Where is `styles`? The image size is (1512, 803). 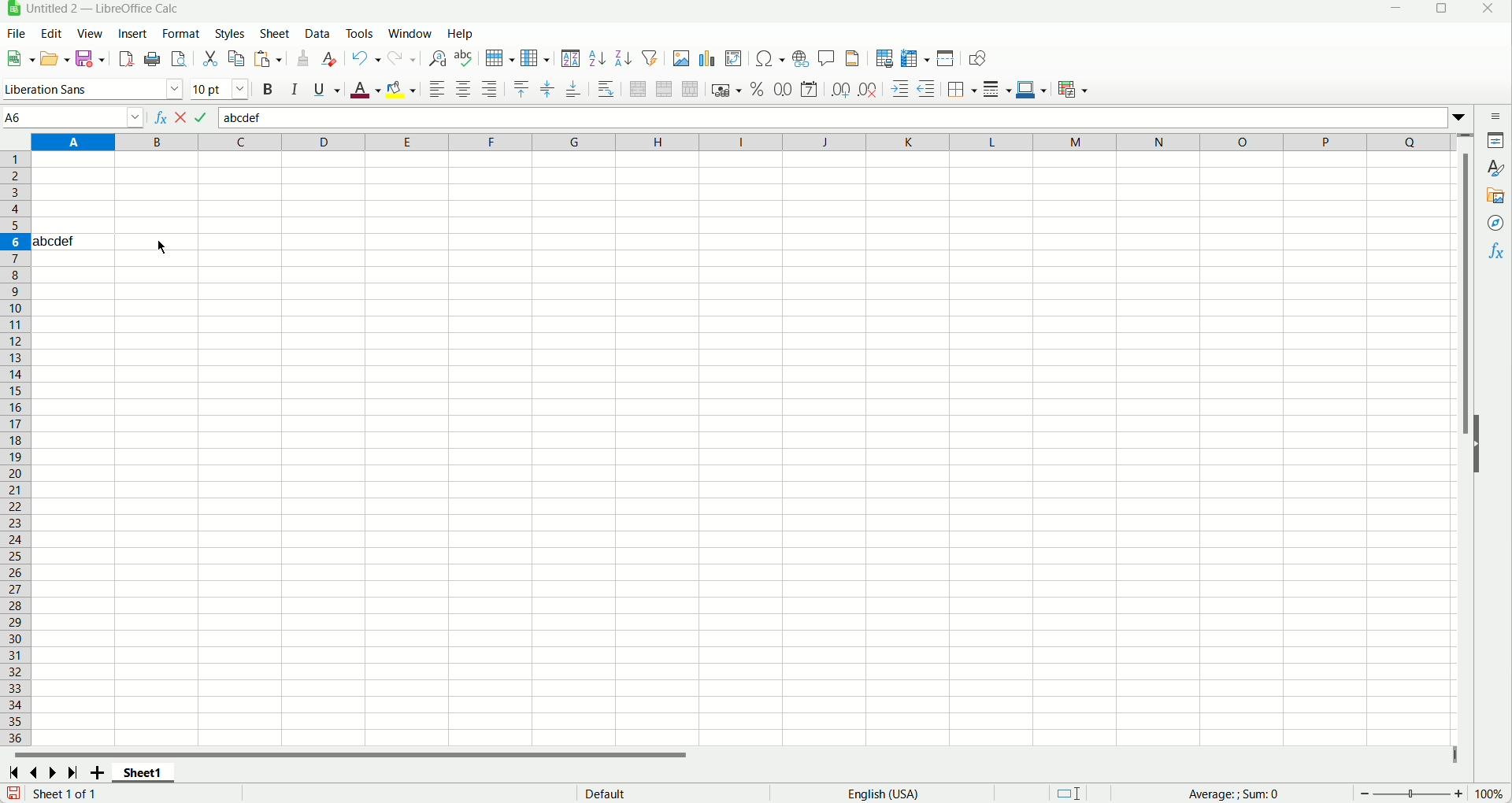
styles is located at coordinates (229, 33).